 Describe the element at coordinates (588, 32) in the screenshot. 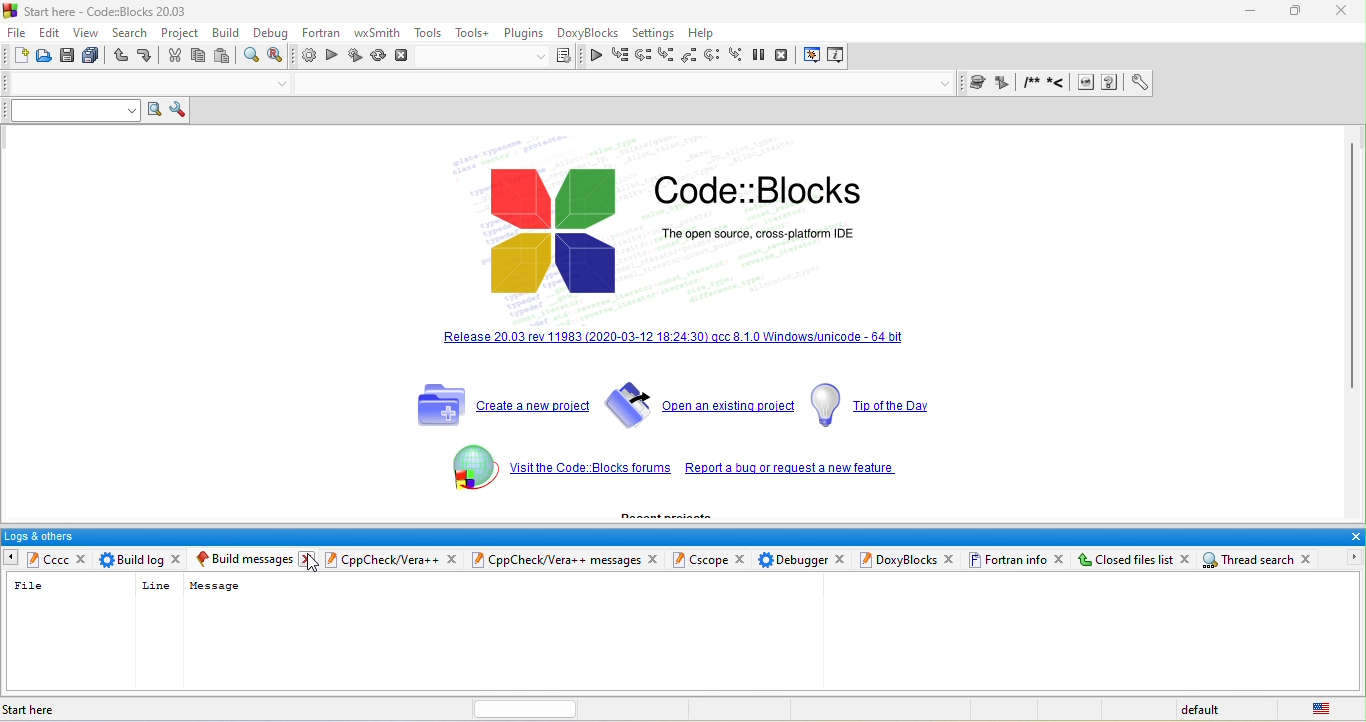

I see `doxyblocks` at that location.